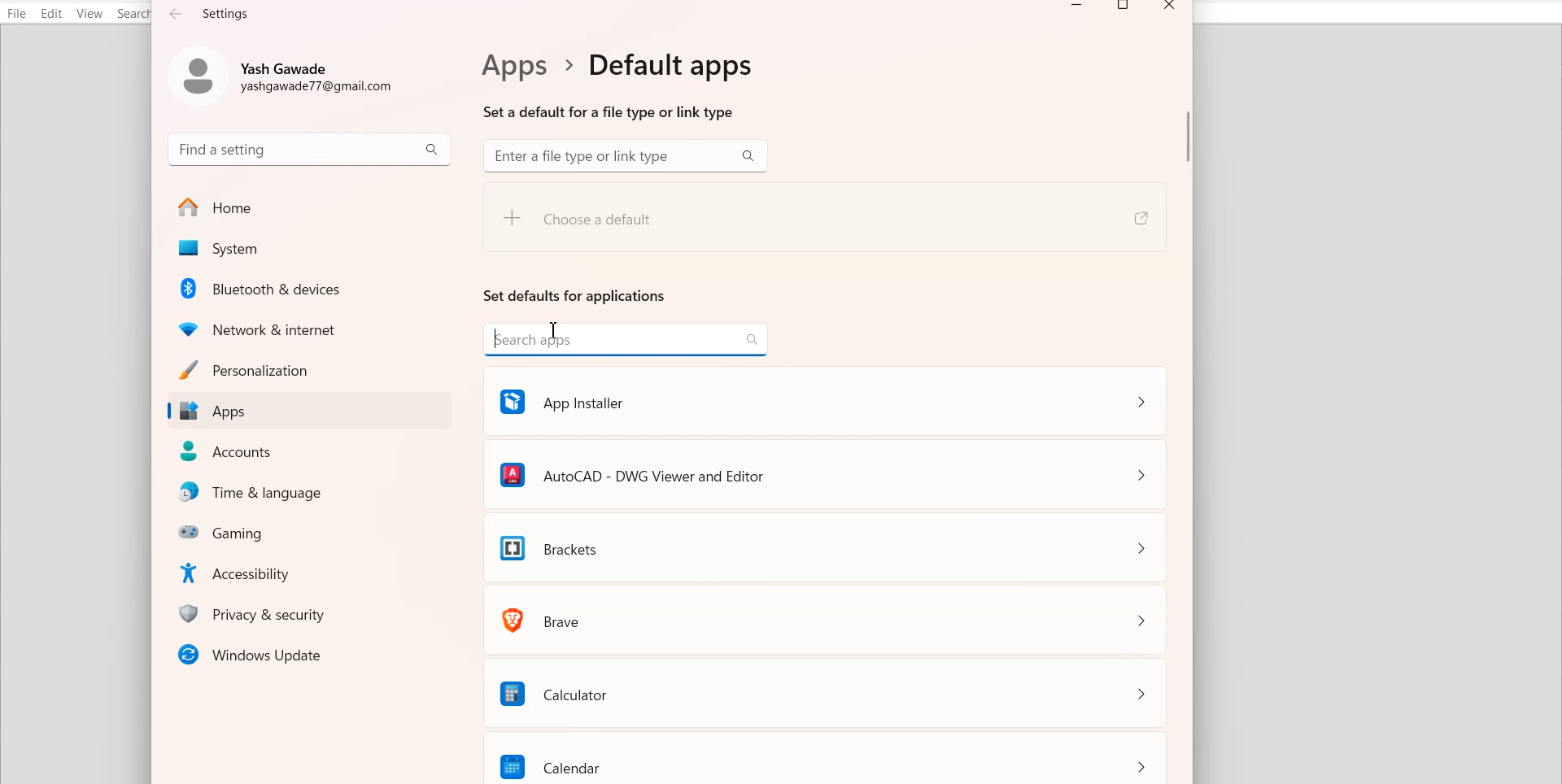 This screenshot has width=1562, height=784. I want to click on App Installer, so click(823, 399).